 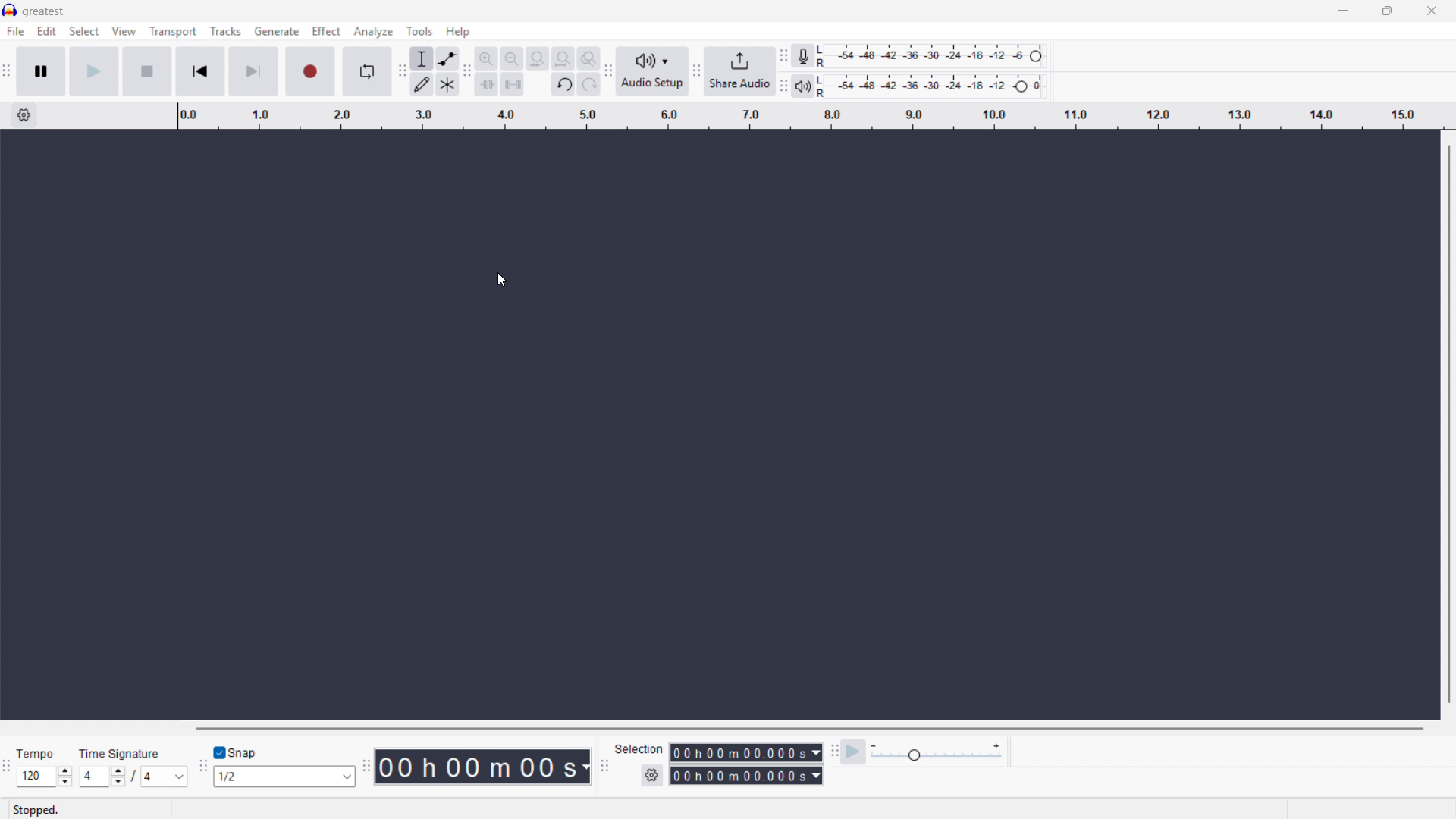 I want to click on Record , so click(x=309, y=71).